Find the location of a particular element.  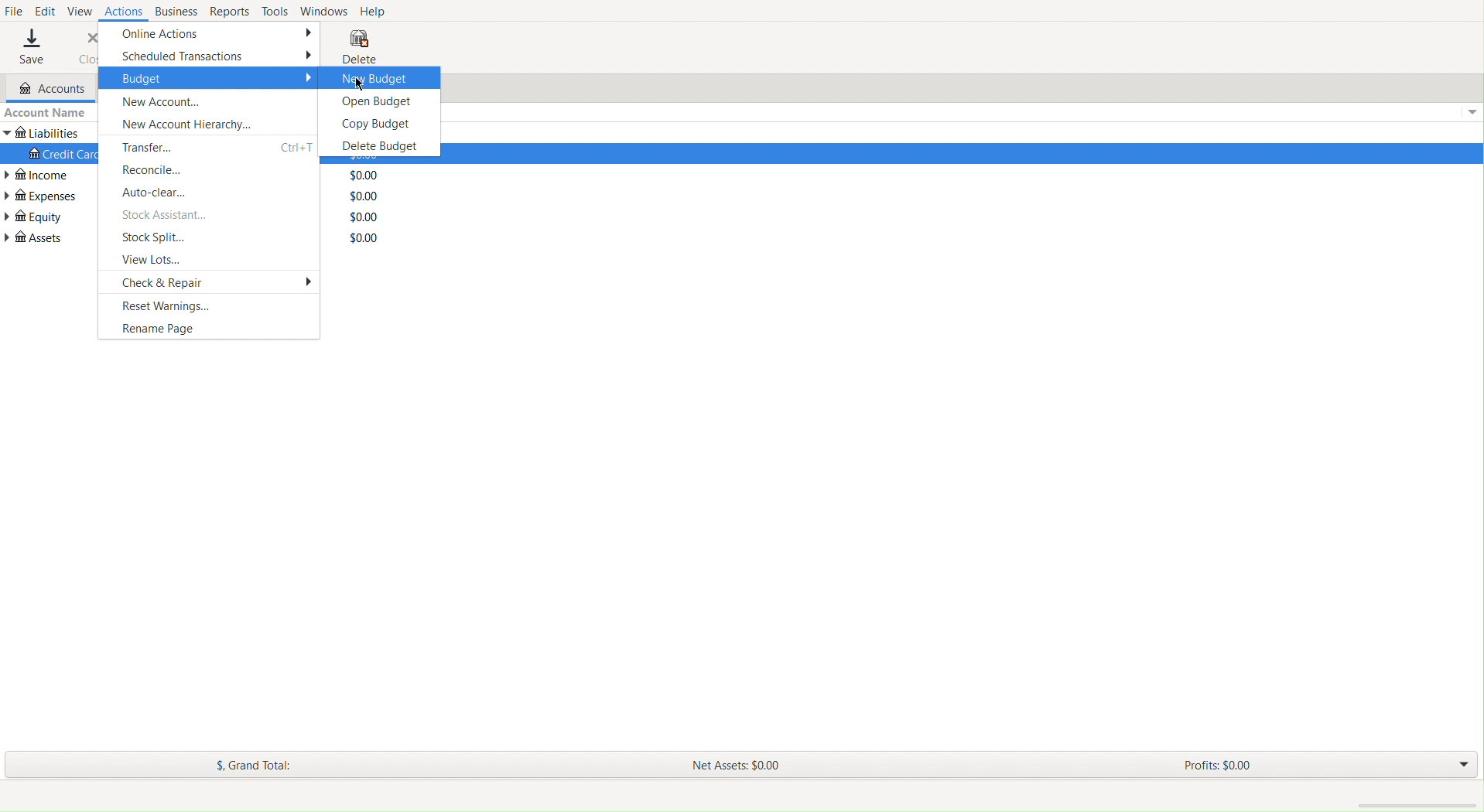

Dropdown is located at coordinates (1469, 113).